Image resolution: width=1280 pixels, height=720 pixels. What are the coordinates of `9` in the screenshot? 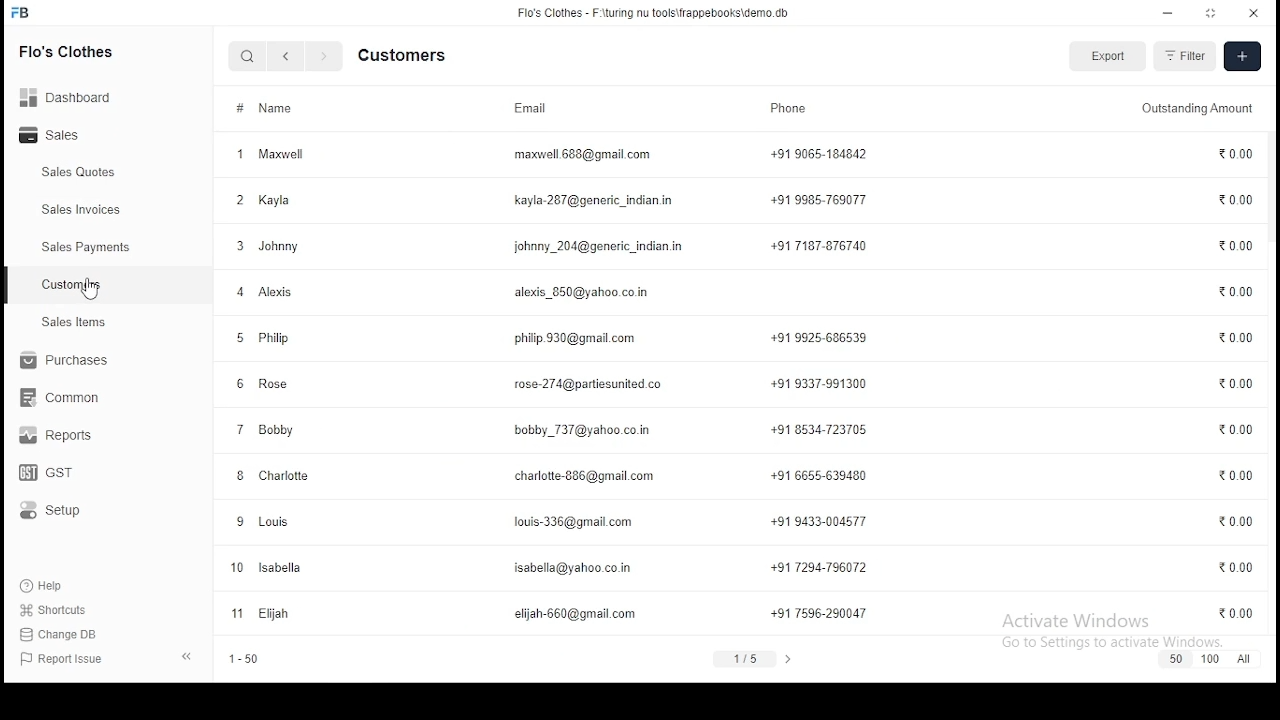 It's located at (238, 522).